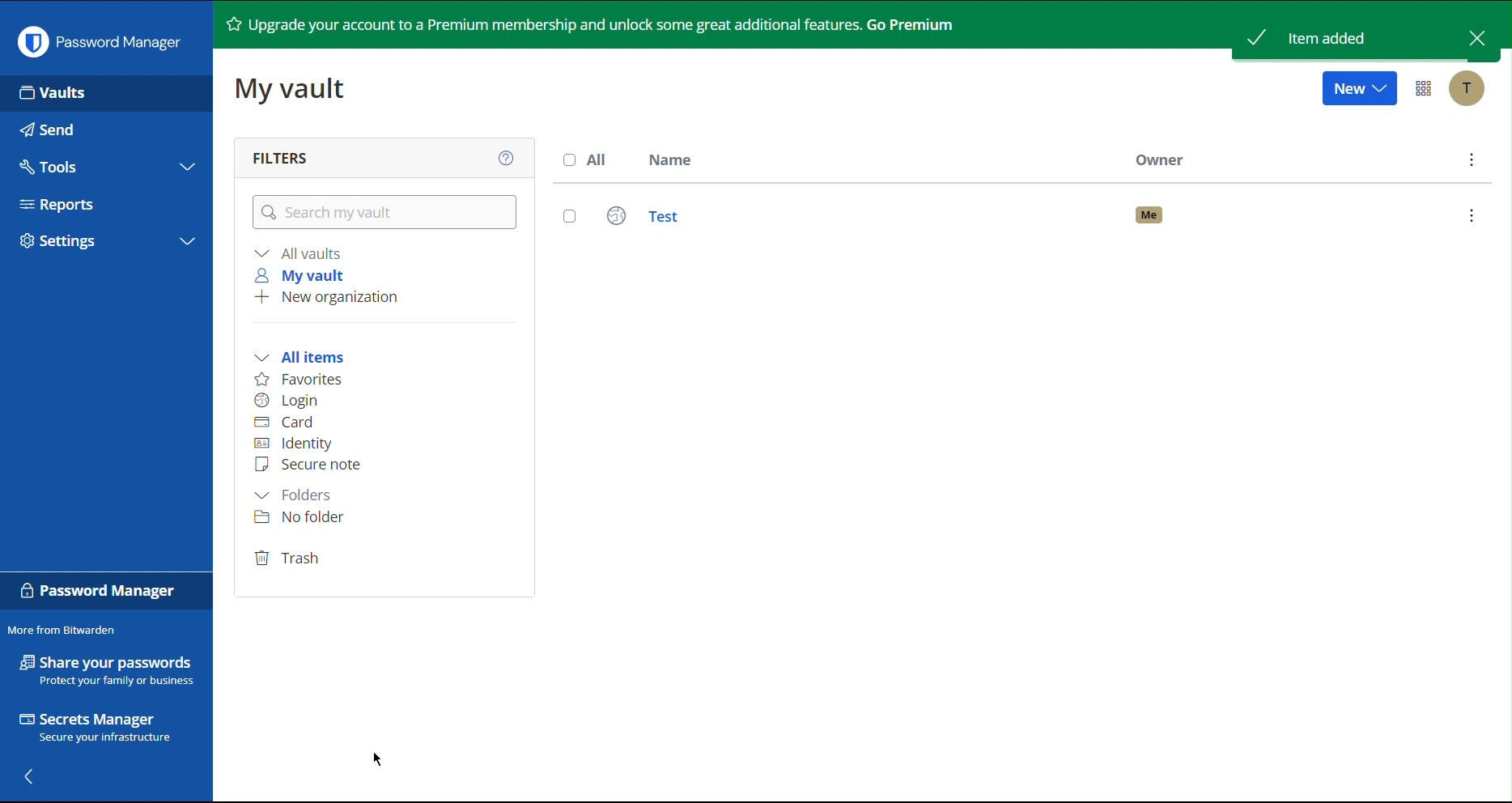 The height and width of the screenshot is (803, 1512). Describe the element at coordinates (1426, 87) in the screenshot. I see `Options` at that location.